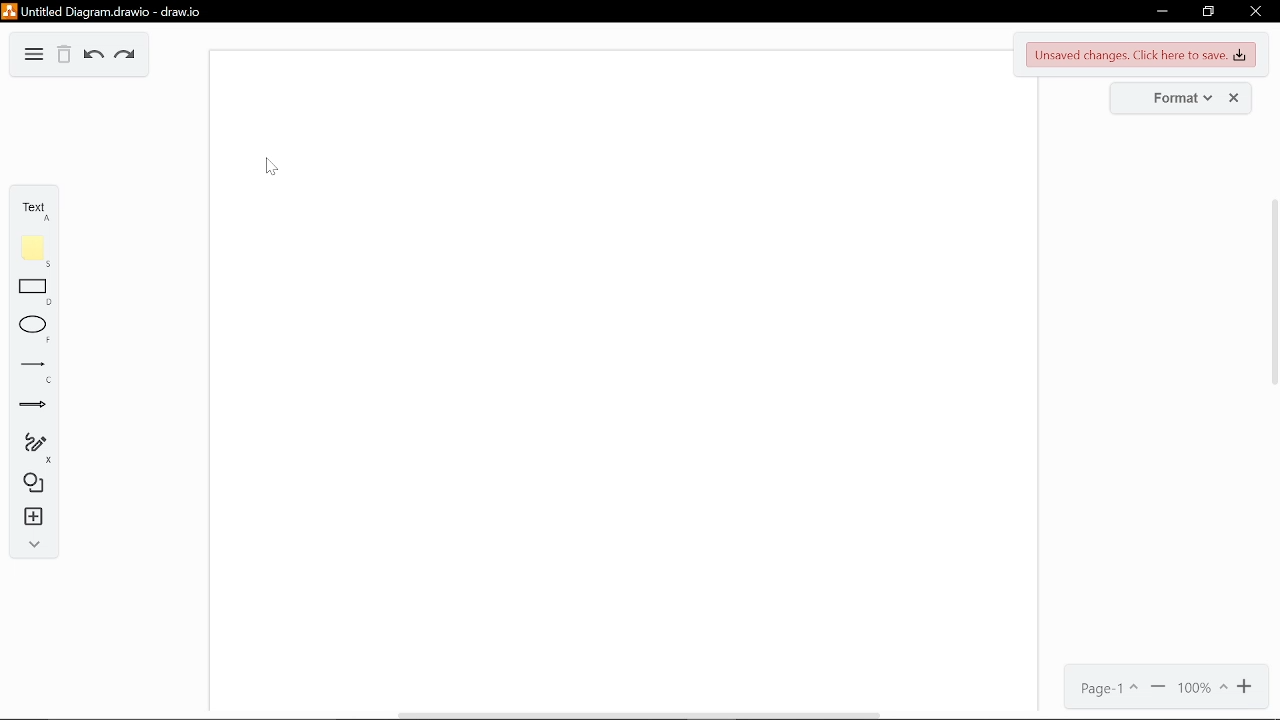  What do you see at coordinates (1250, 687) in the screenshot?
I see `zoom in` at bounding box center [1250, 687].